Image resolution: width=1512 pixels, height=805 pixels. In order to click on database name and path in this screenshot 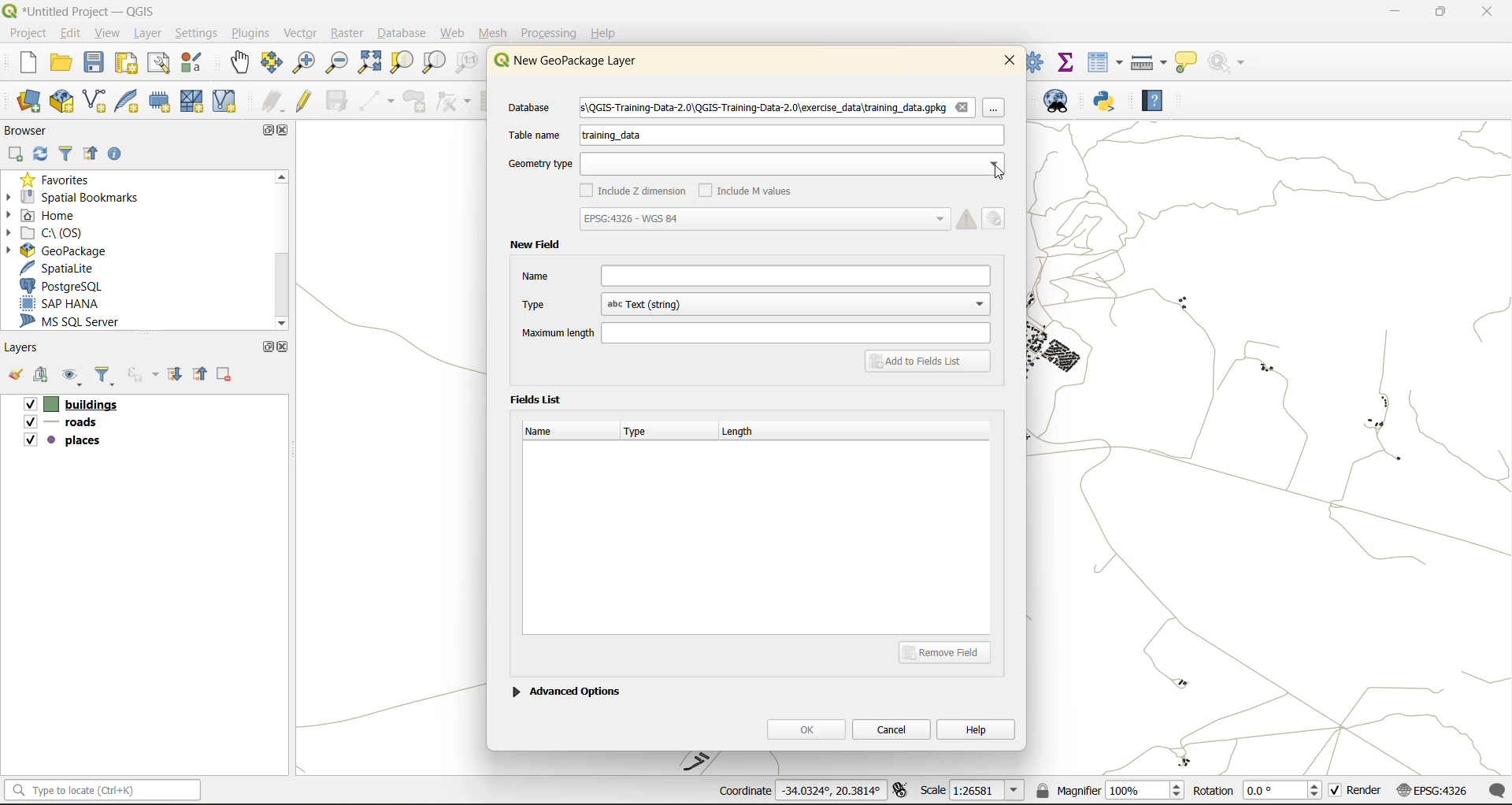, I will do `click(778, 109)`.